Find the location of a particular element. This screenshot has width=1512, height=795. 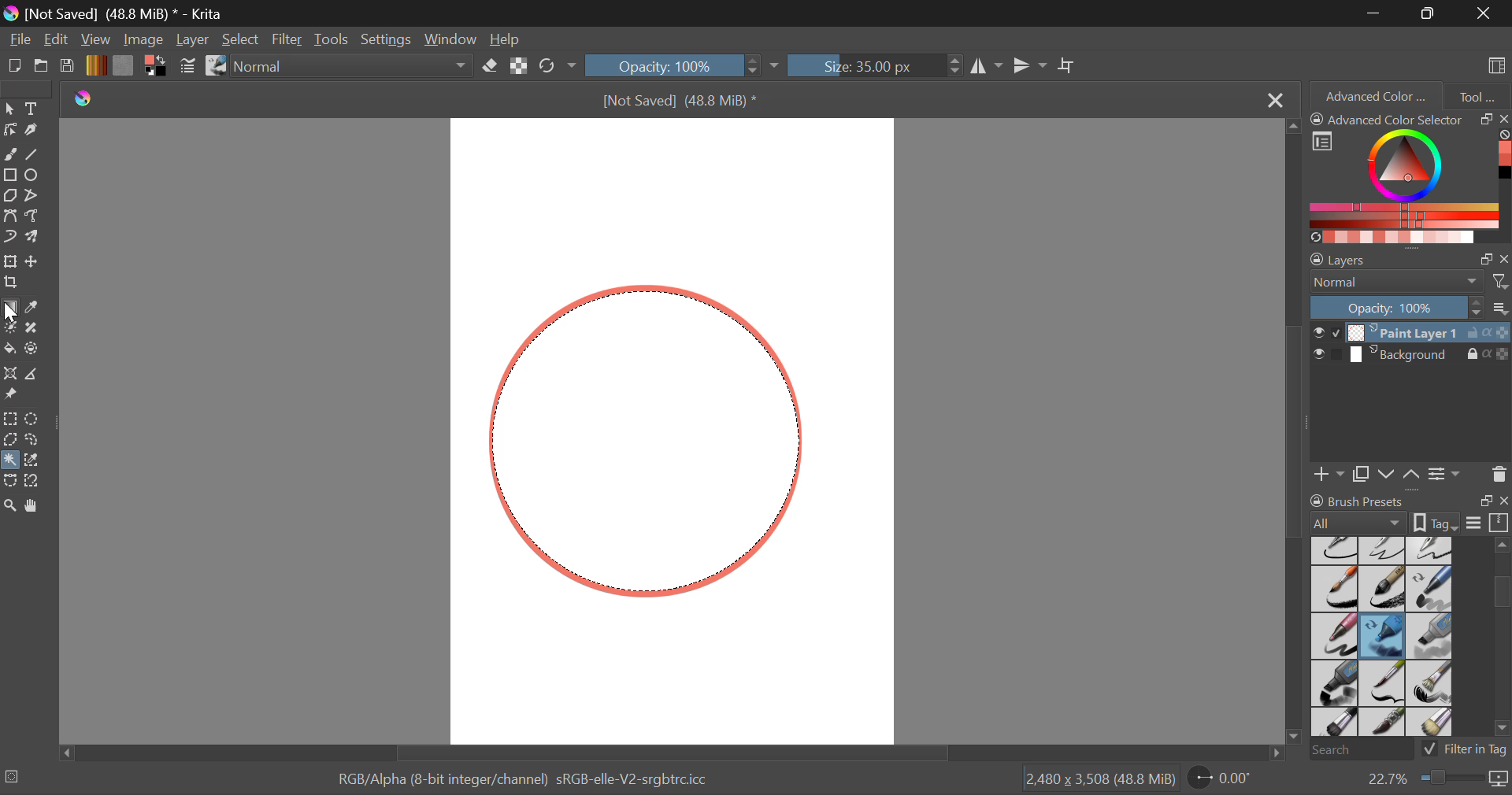

Select is located at coordinates (9, 109).